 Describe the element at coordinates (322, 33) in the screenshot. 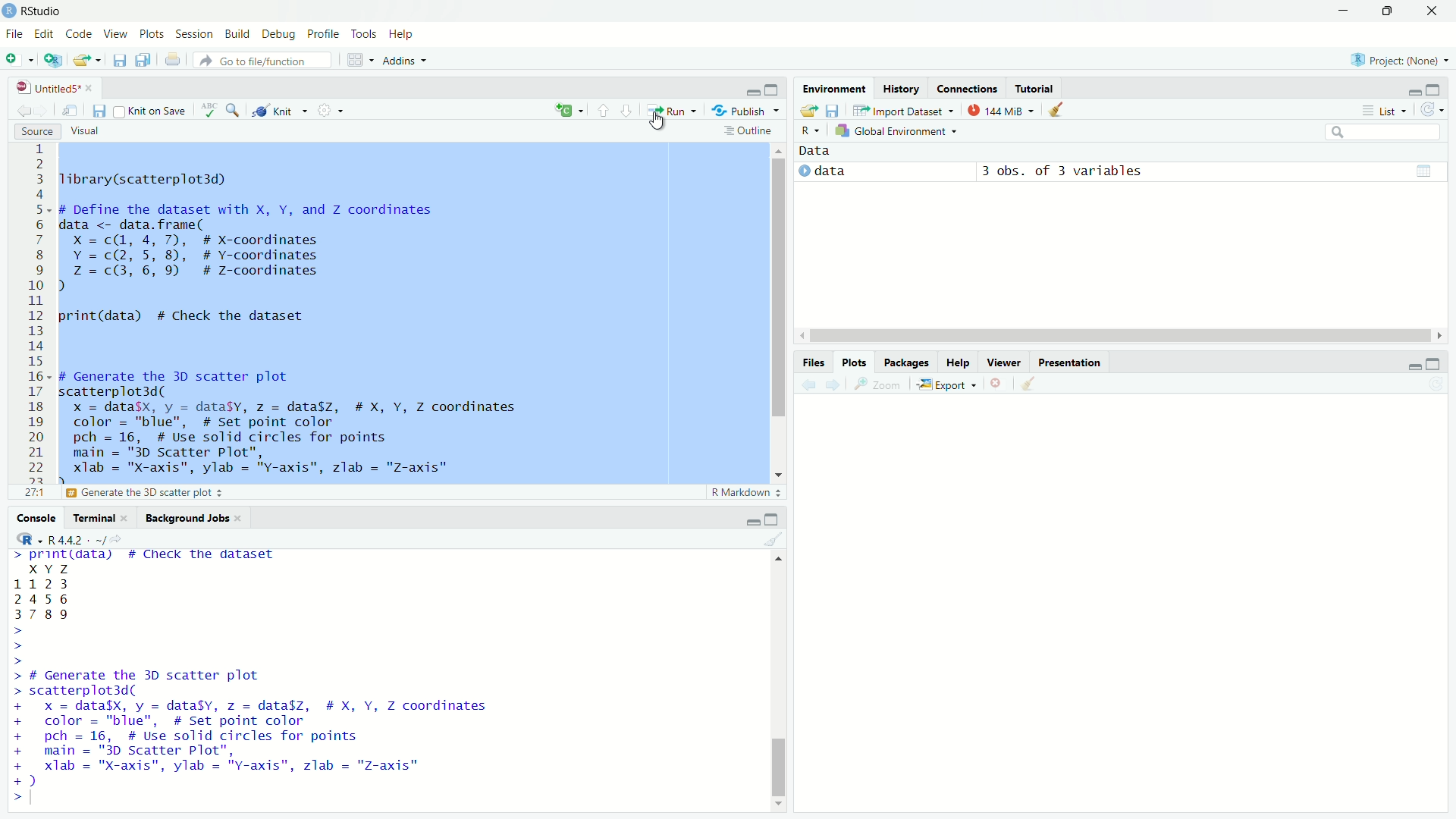

I see `profile` at that location.